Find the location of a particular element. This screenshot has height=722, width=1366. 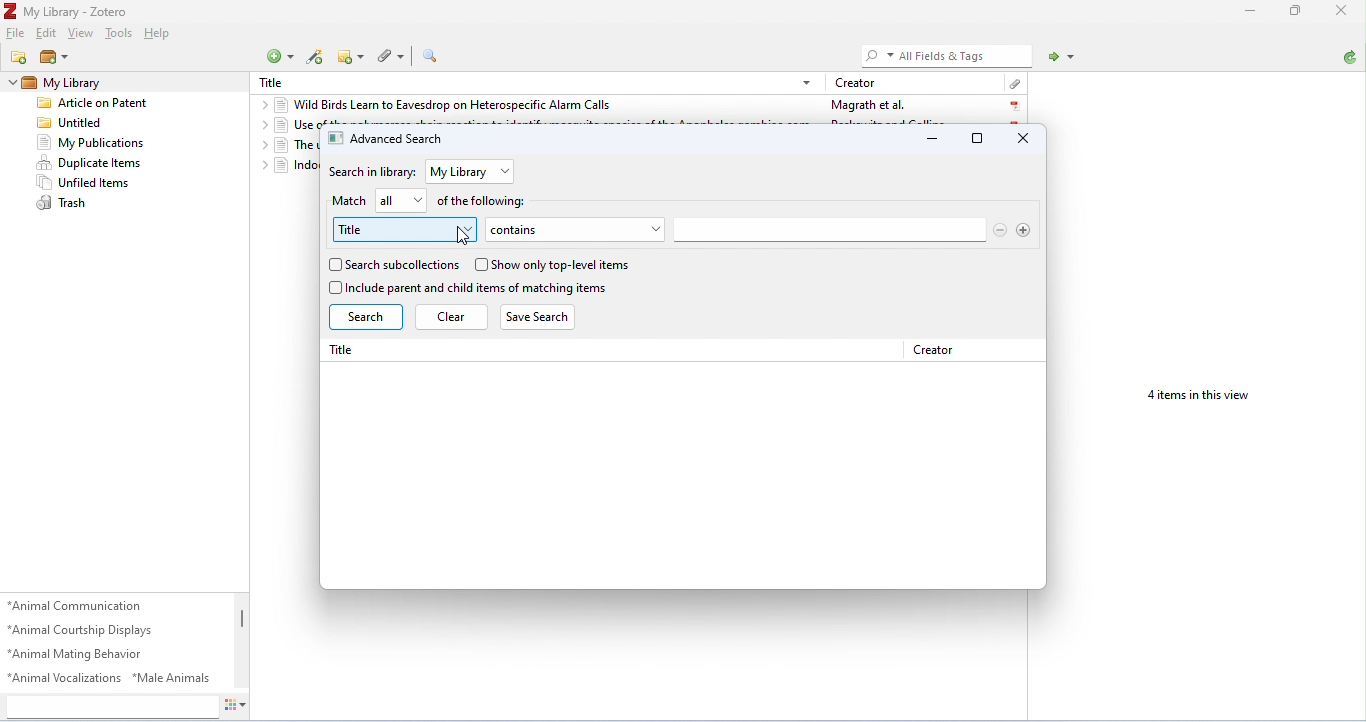

add attachment is located at coordinates (392, 57).